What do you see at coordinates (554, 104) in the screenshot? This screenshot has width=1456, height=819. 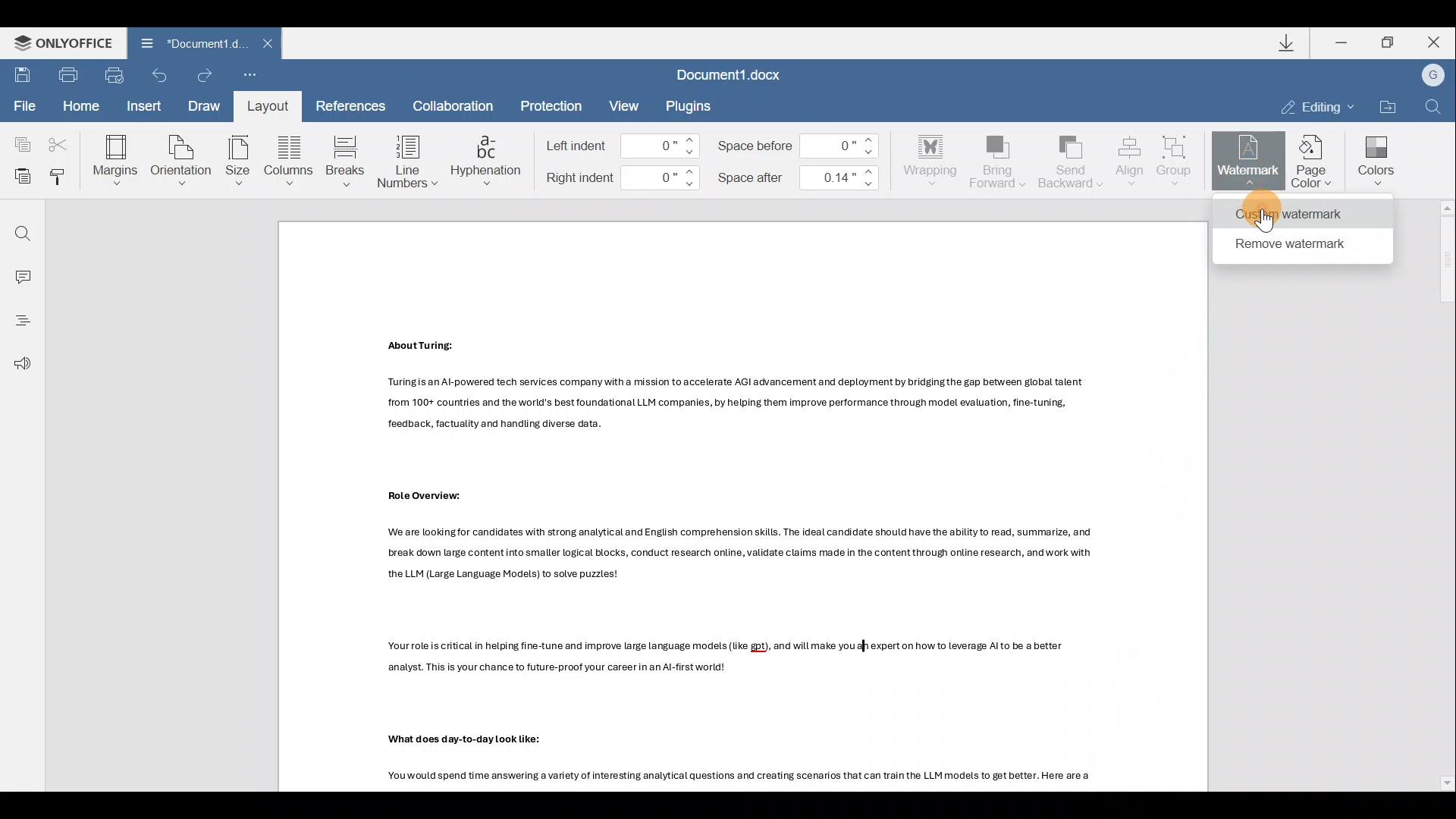 I see `Protection` at bounding box center [554, 104].